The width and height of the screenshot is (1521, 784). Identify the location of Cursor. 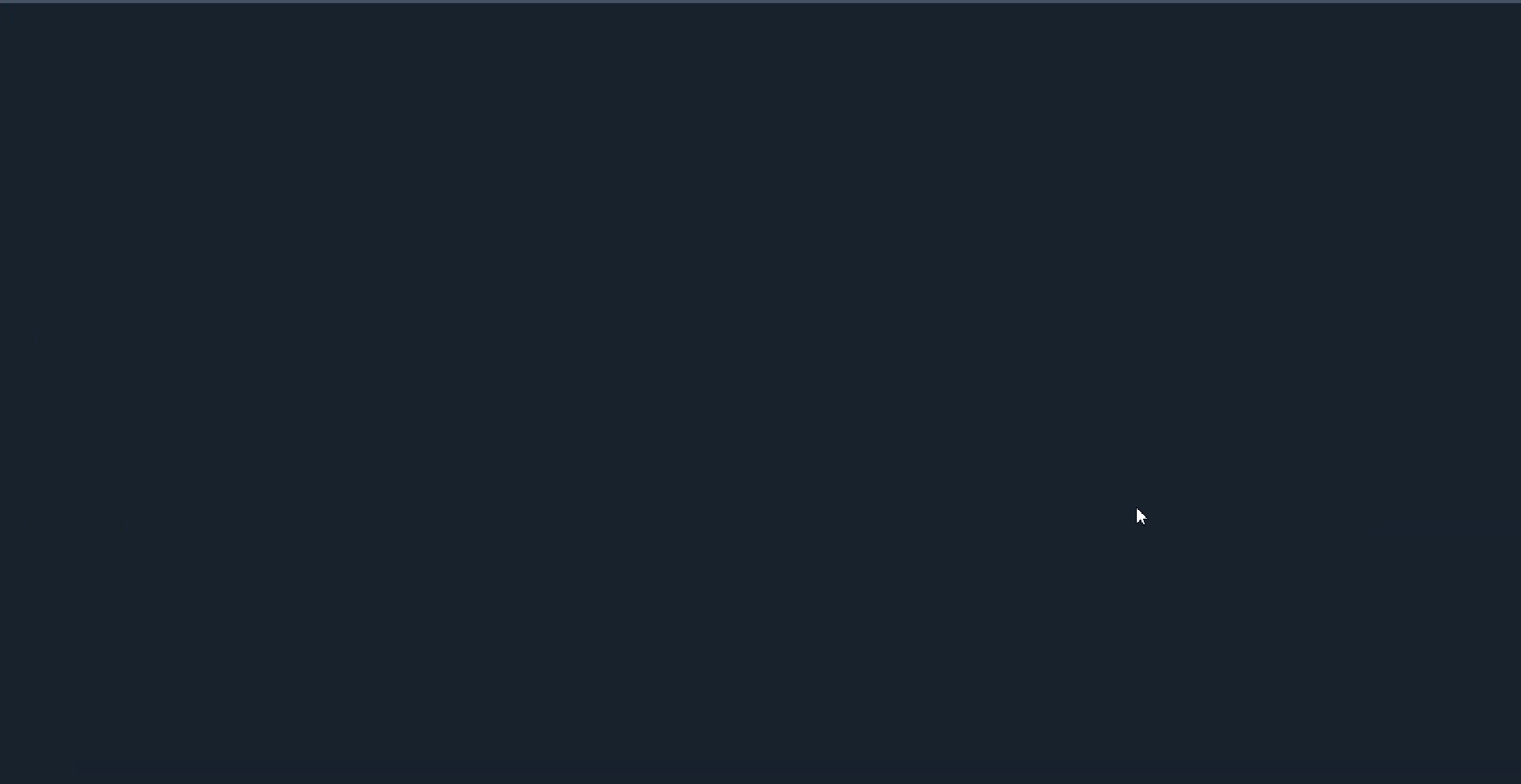
(1142, 516).